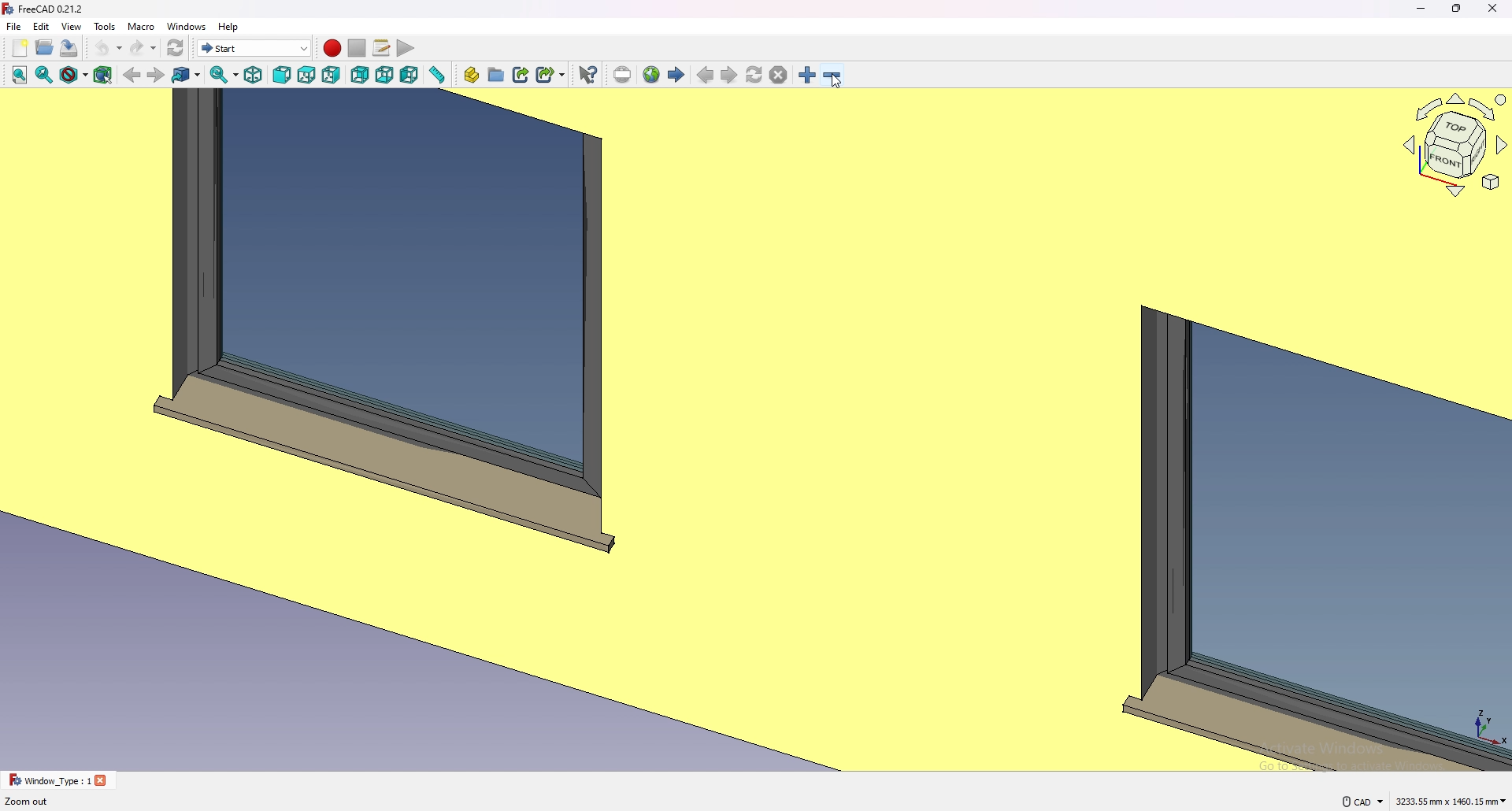 This screenshot has height=811, width=1512. I want to click on left, so click(409, 75).